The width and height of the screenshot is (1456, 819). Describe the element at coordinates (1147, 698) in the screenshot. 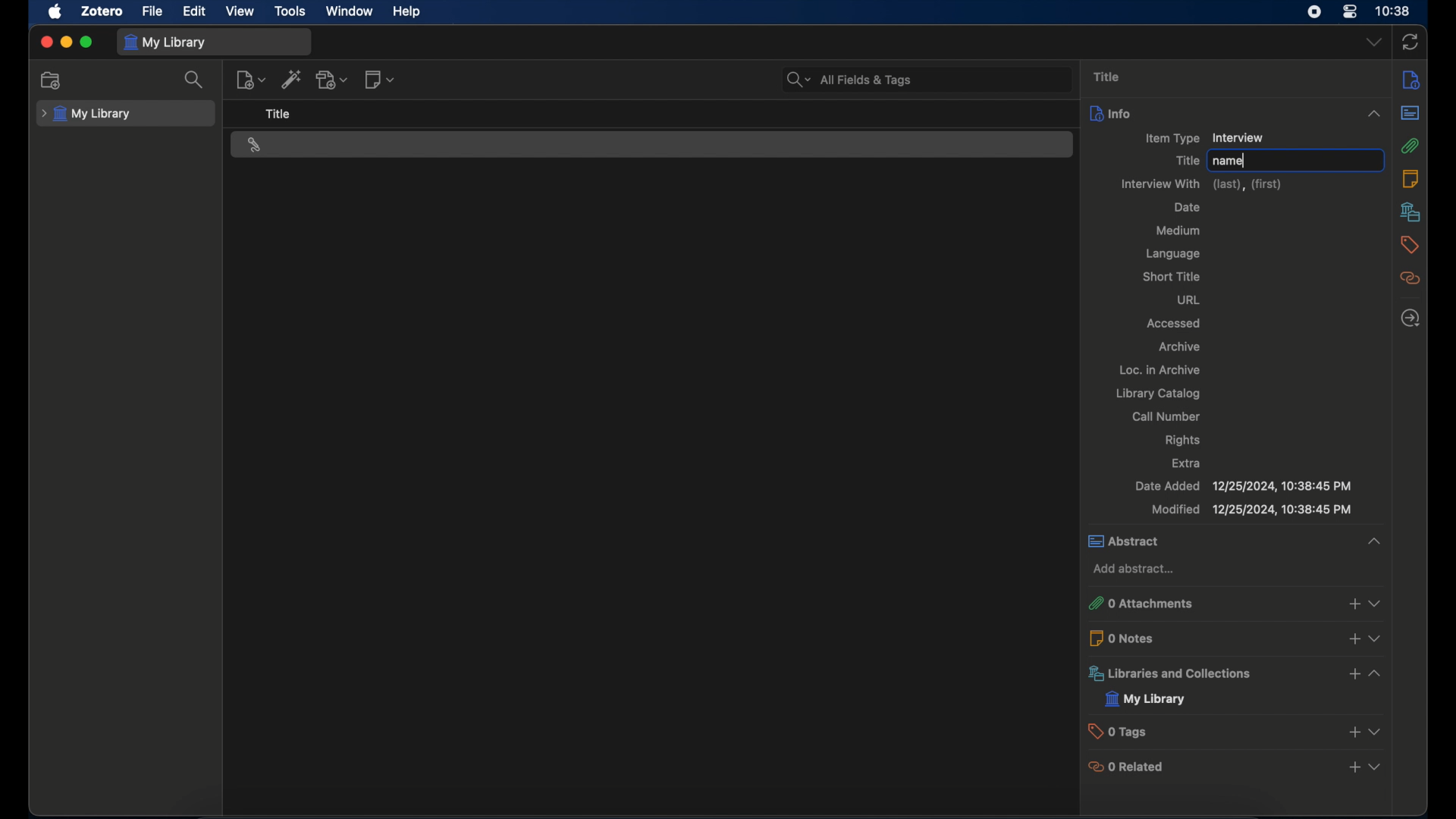

I see `my library` at that location.